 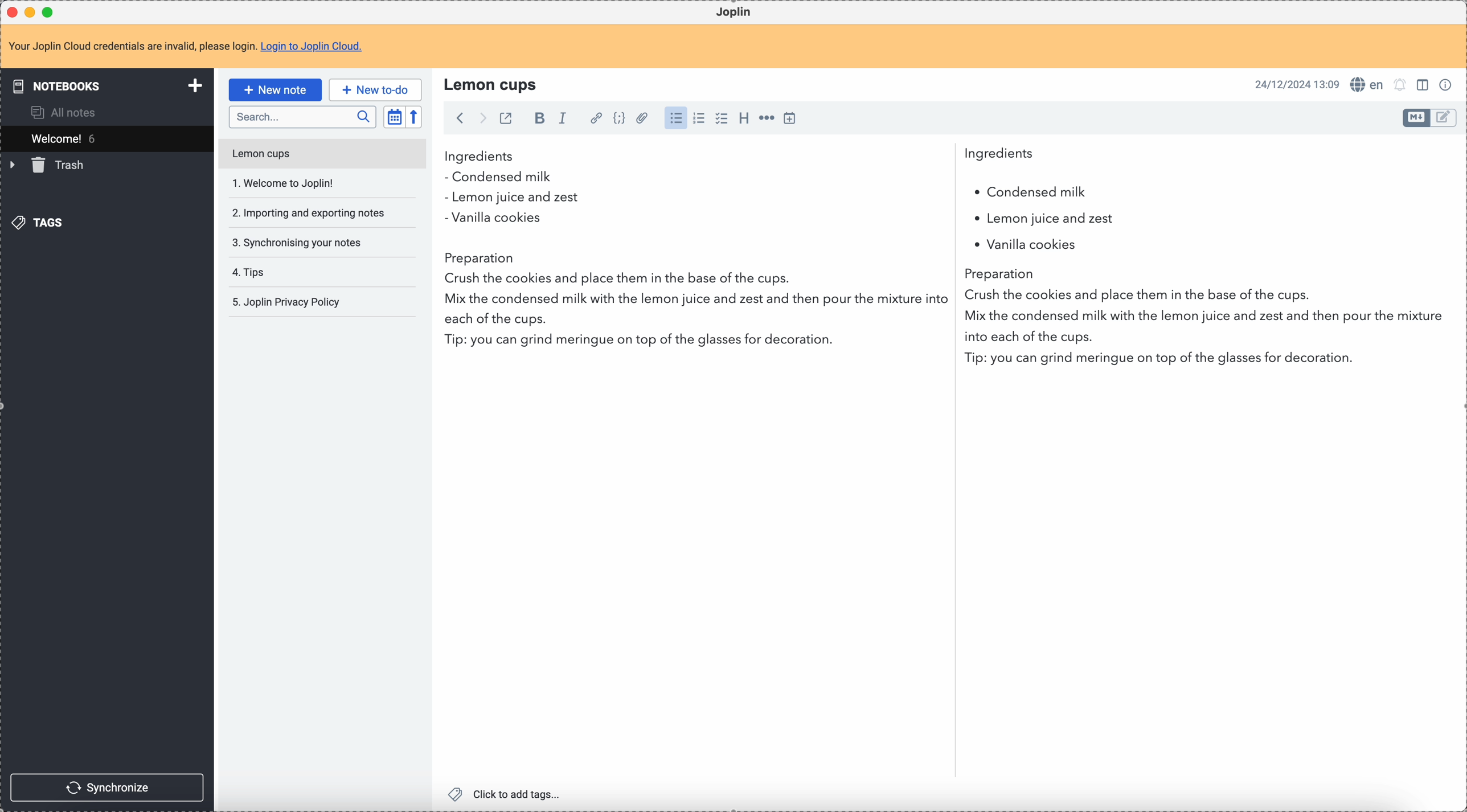 I want to click on close, so click(x=14, y=13).